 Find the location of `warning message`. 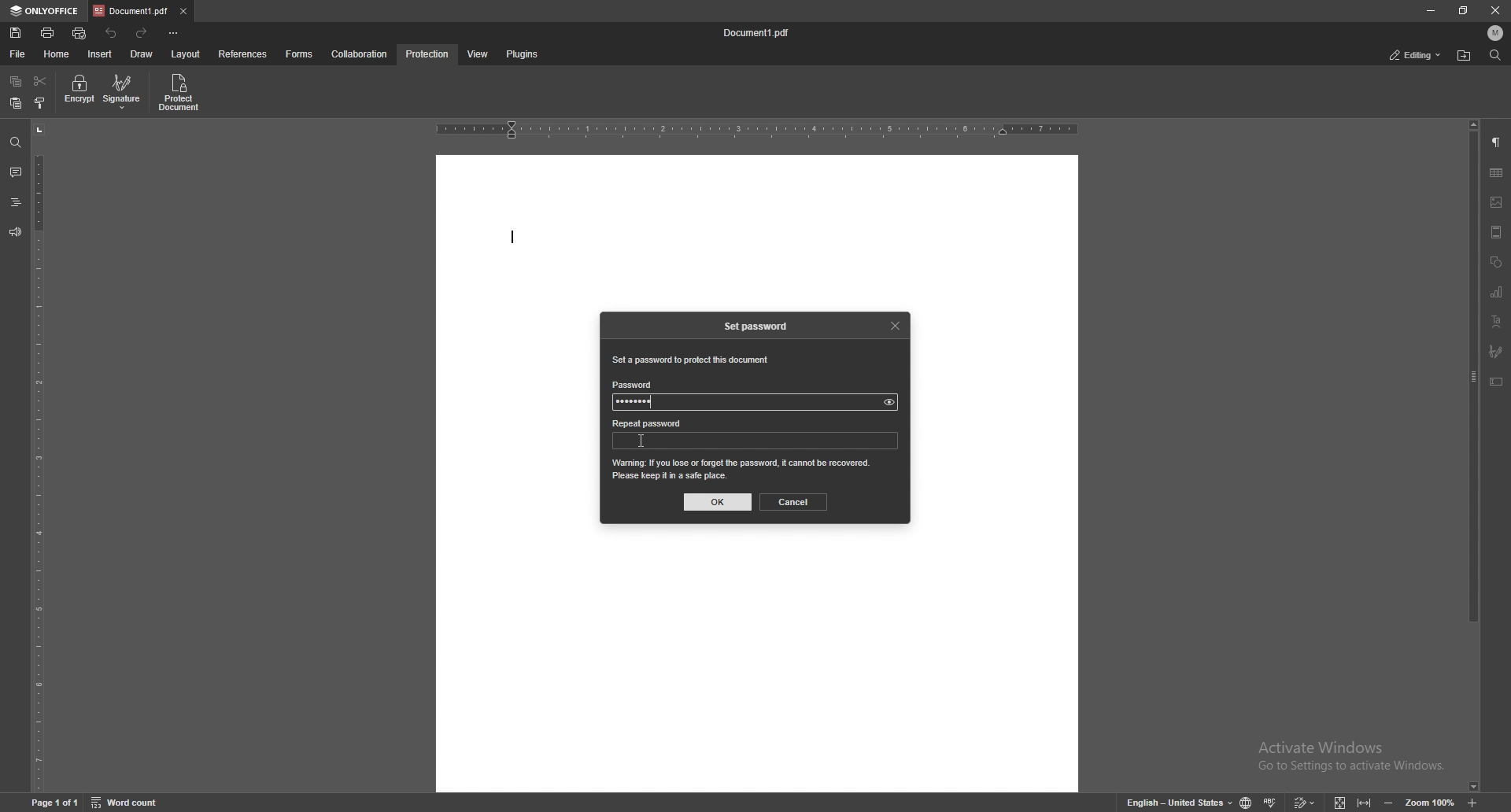

warning message is located at coordinates (742, 469).